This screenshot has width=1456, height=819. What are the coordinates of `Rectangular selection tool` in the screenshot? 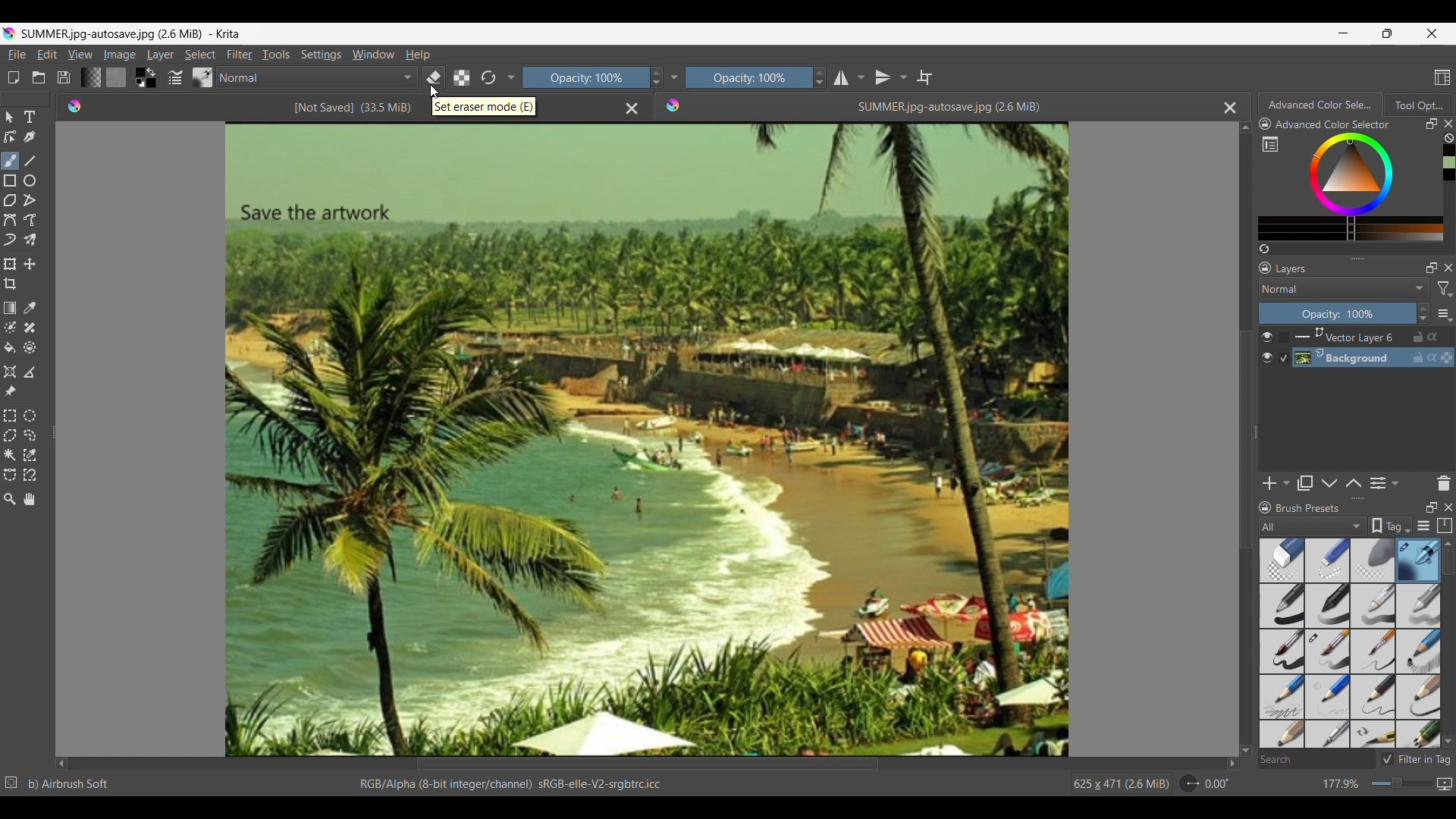 It's located at (9, 416).